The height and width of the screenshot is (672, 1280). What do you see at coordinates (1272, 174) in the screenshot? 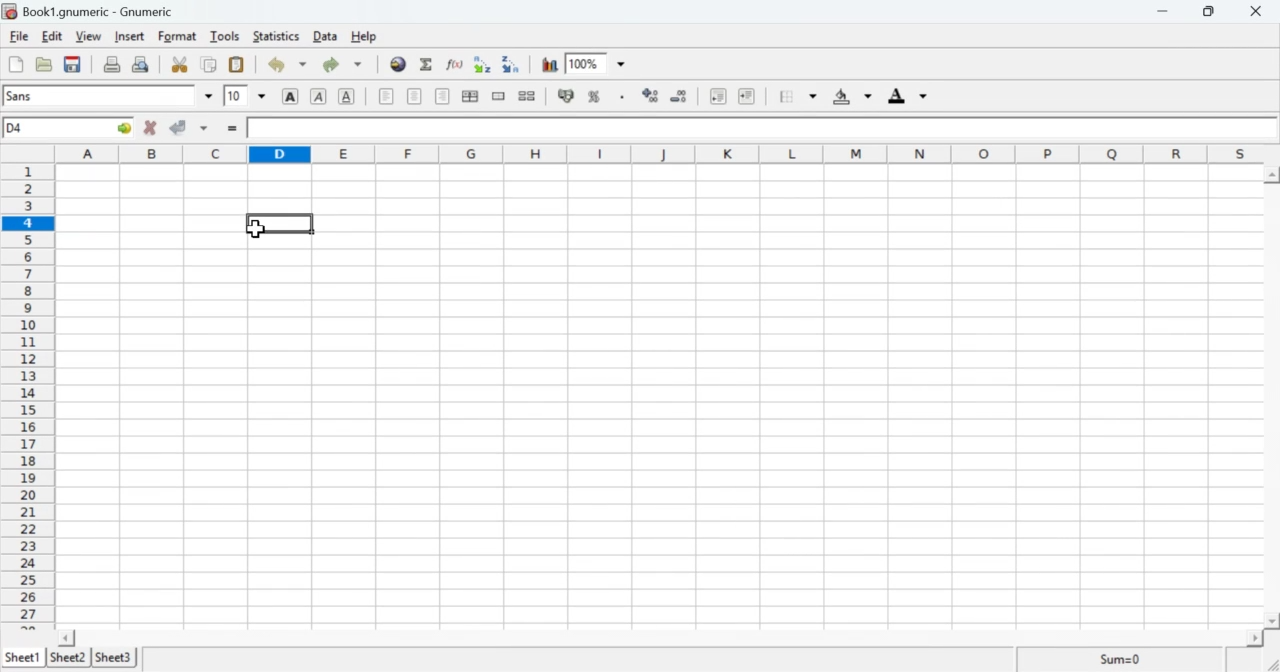
I see `scroll up` at bounding box center [1272, 174].